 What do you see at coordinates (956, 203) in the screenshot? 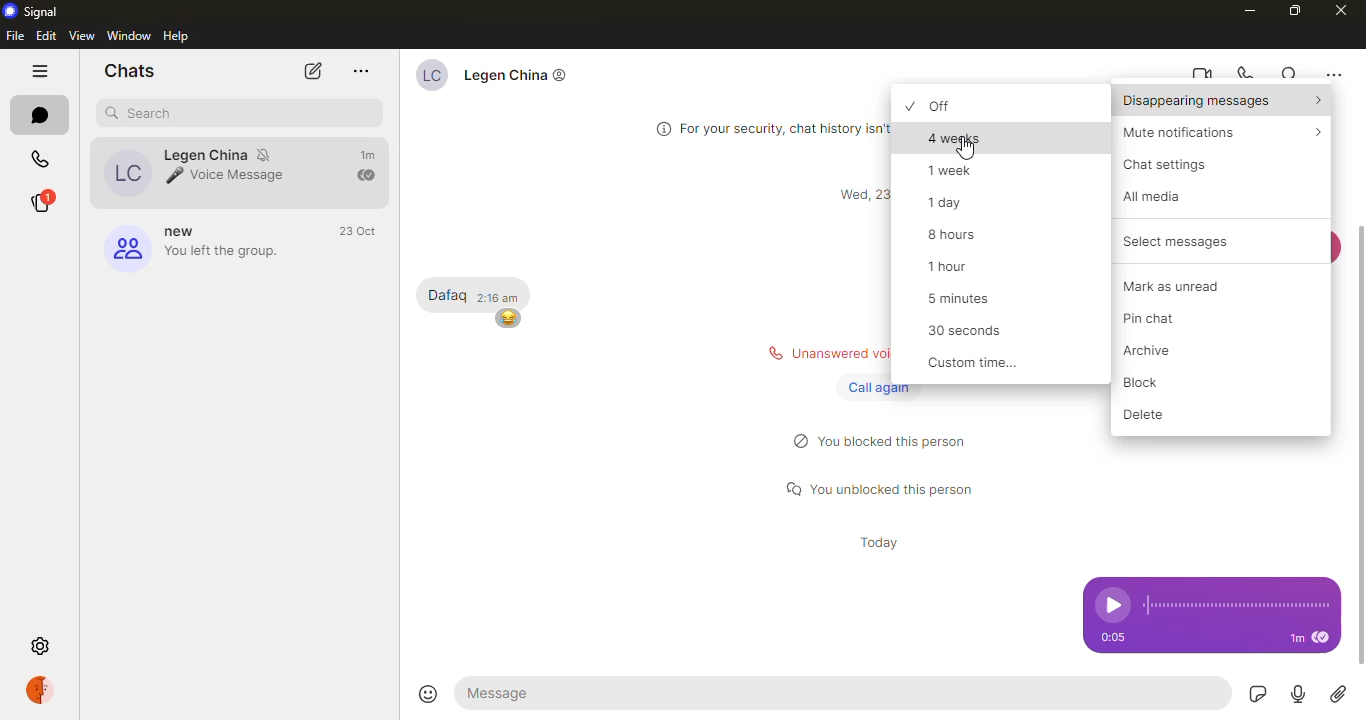
I see `1 day` at bounding box center [956, 203].